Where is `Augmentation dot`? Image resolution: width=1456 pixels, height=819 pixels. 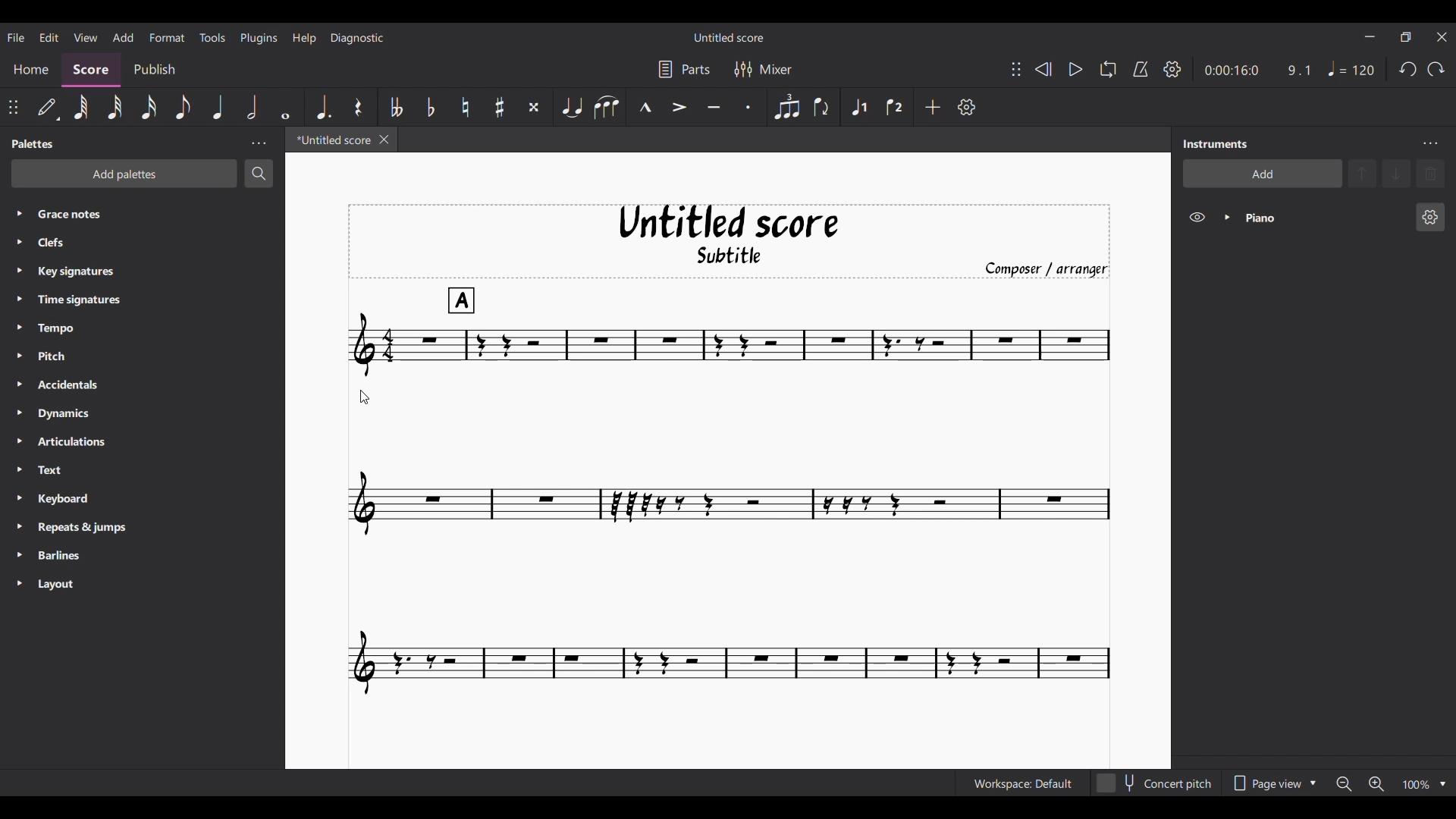 Augmentation dot is located at coordinates (323, 106).